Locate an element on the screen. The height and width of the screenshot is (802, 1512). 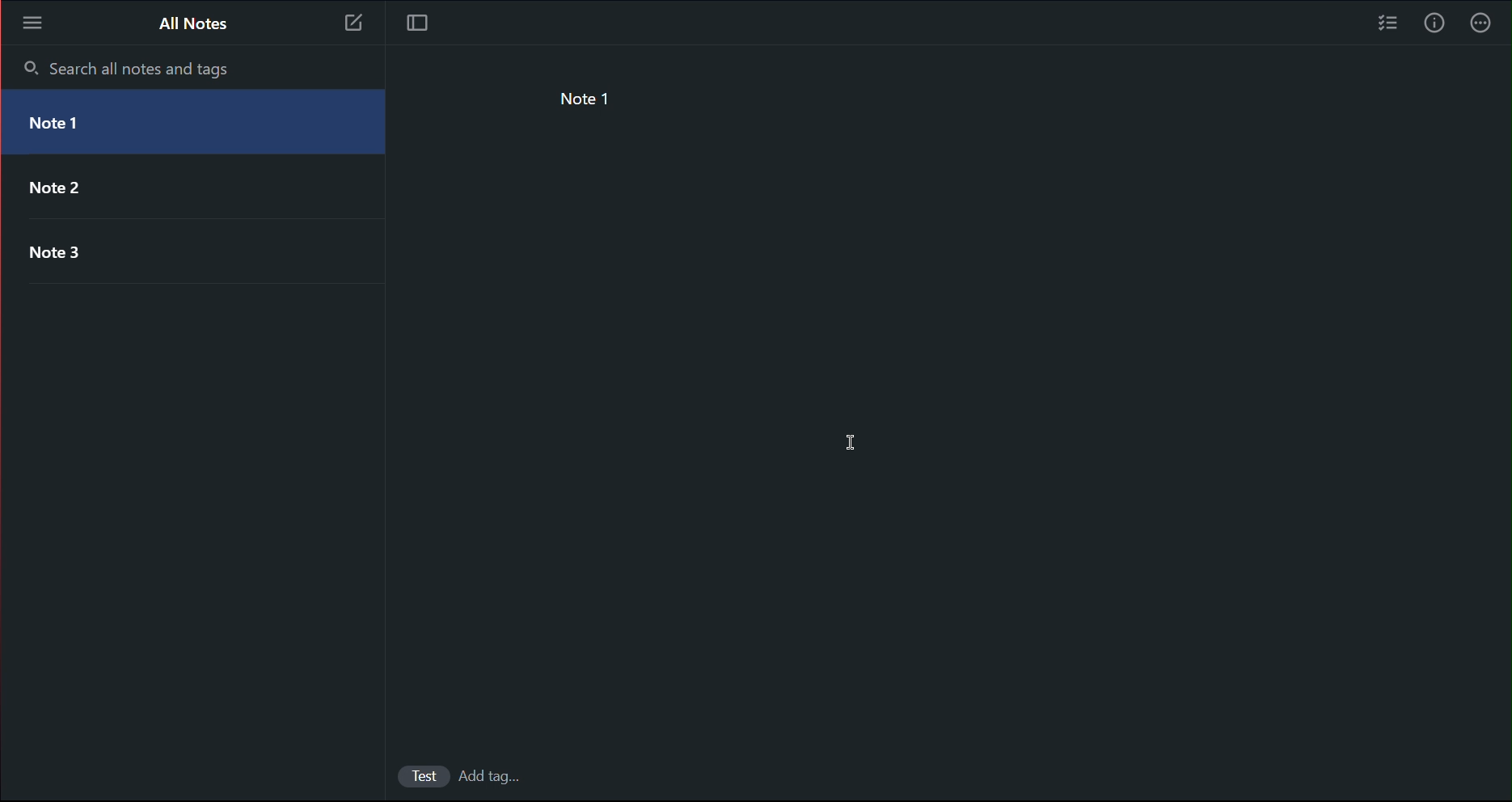
Cursor is located at coordinates (852, 443).